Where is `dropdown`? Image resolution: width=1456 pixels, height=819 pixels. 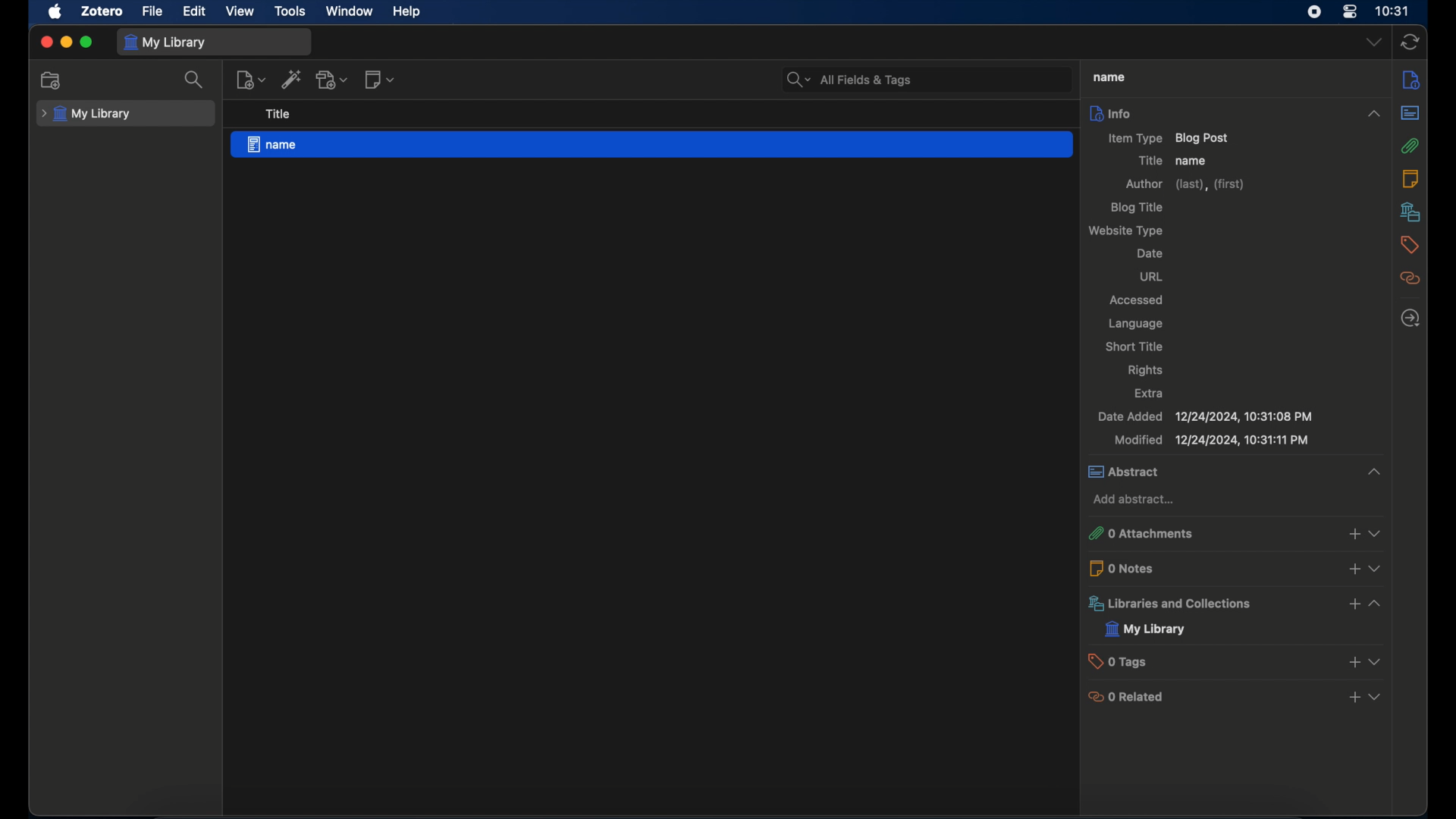
dropdown is located at coordinates (1373, 42).